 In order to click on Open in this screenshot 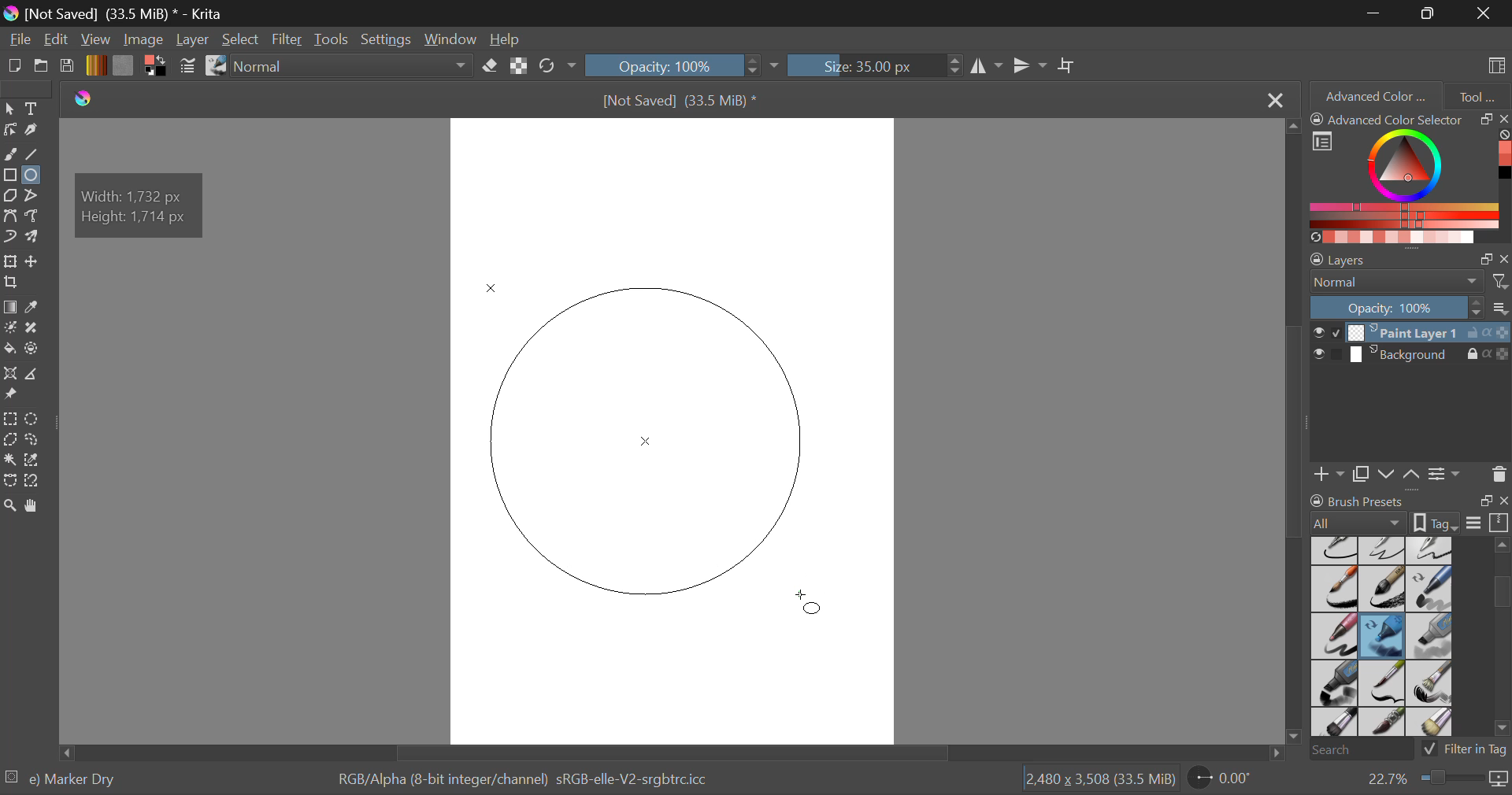, I will do `click(43, 68)`.